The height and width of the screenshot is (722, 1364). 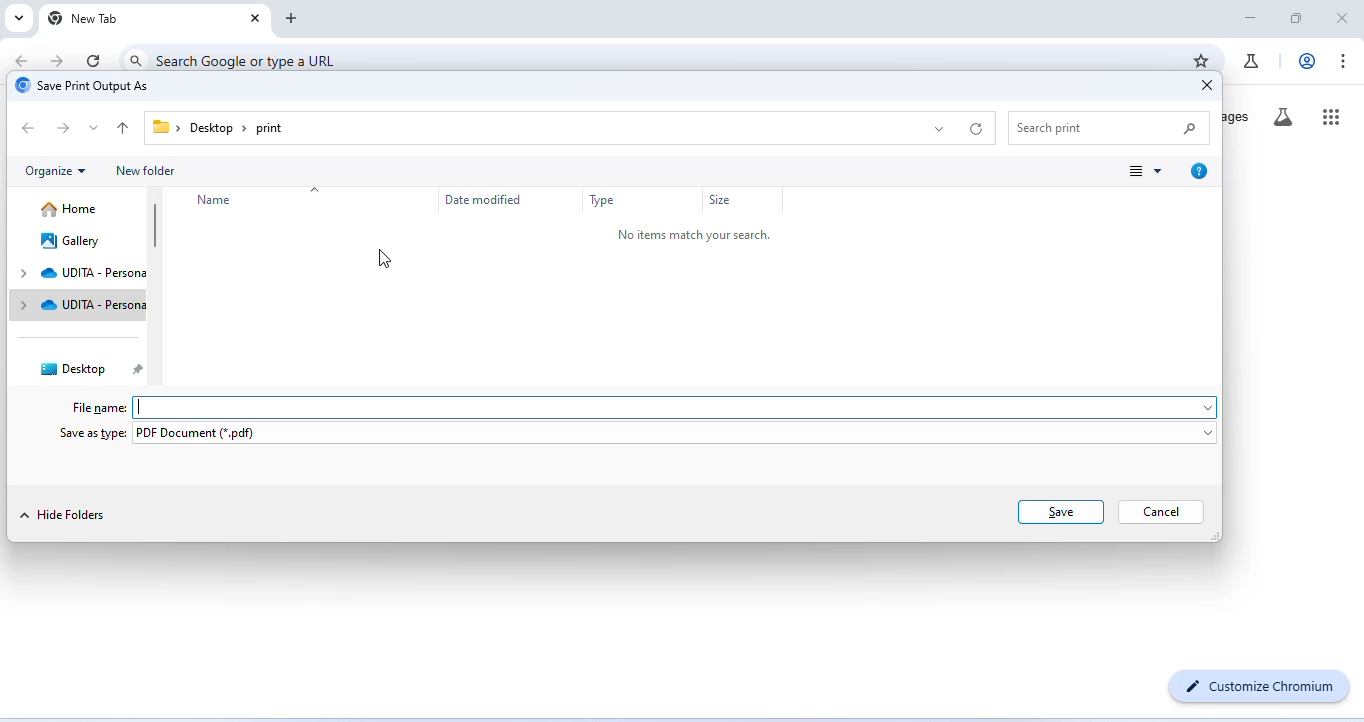 I want to click on file name, so click(x=98, y=408).